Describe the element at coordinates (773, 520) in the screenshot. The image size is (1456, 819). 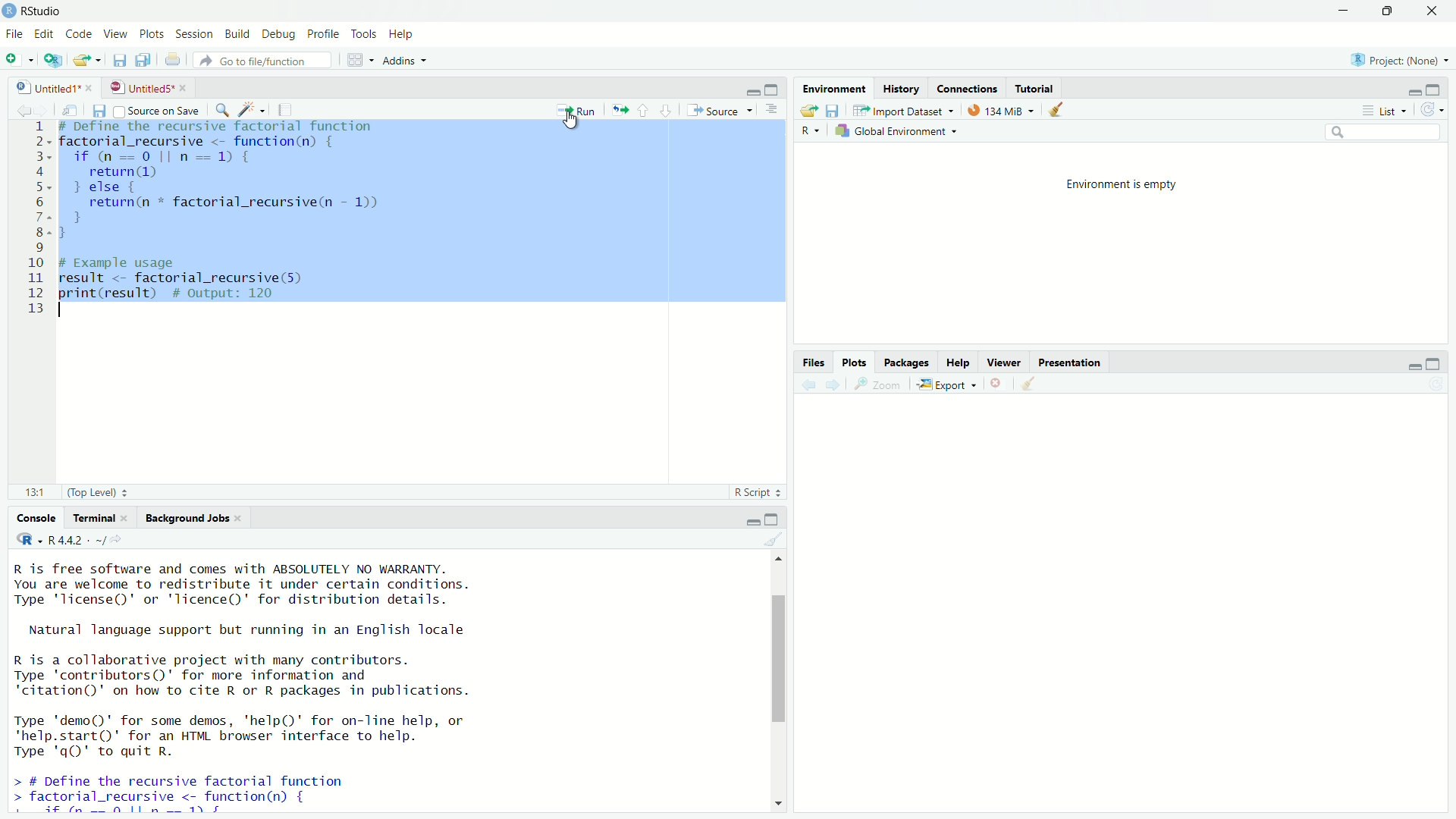
I see `Maximize` at that location.